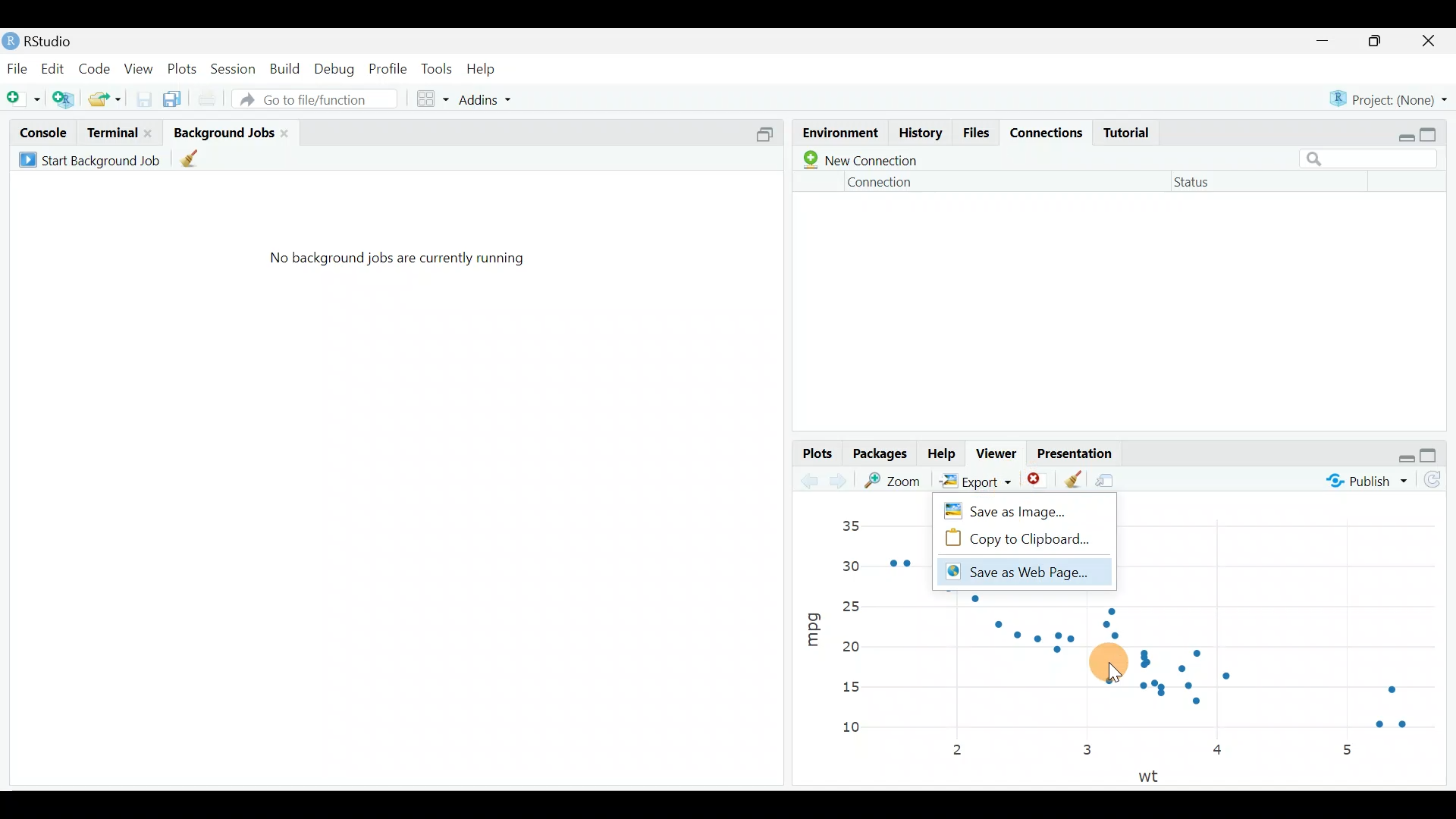 The height and width of the screenshot is (819, 1456). Describe the element at coordinates (42, 132) in the screenshot. I see `Console` at that location.